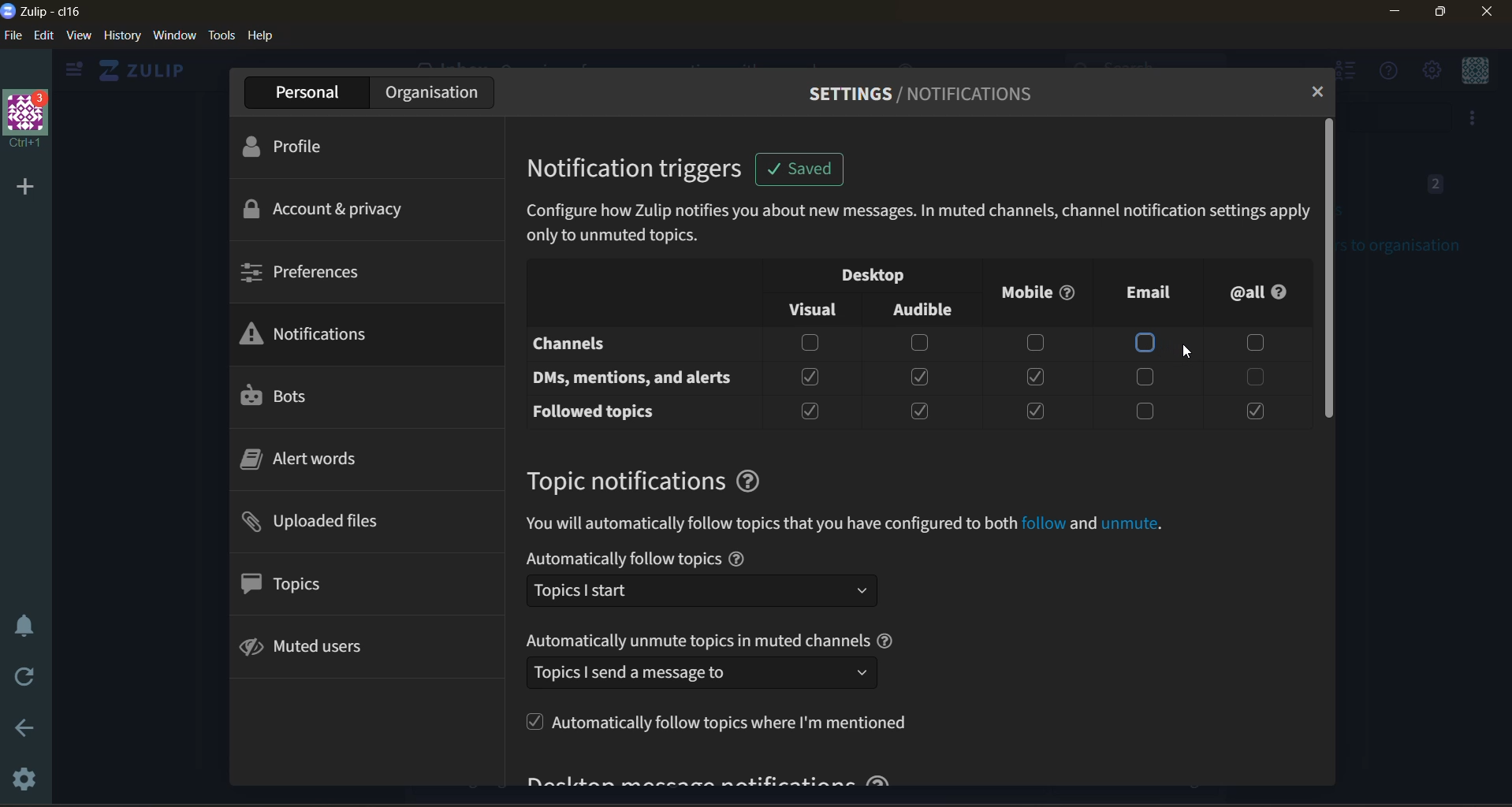 The width and height of the screenshot is (1512, 807). I want to click on text, so click(770, 524).